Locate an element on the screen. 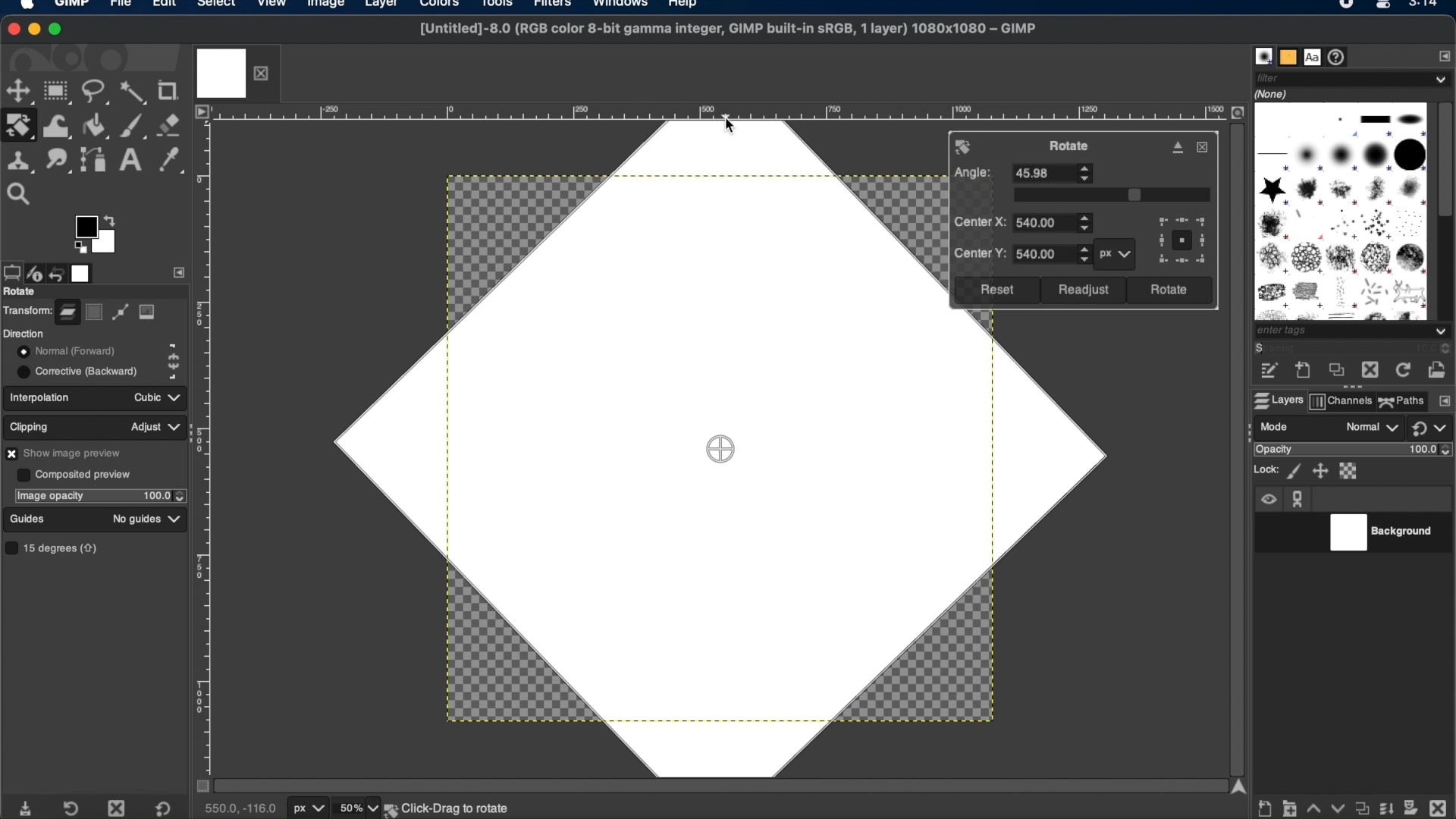 This screenshot has height=819, width=1456. device status is located at coordinates (36, 271).